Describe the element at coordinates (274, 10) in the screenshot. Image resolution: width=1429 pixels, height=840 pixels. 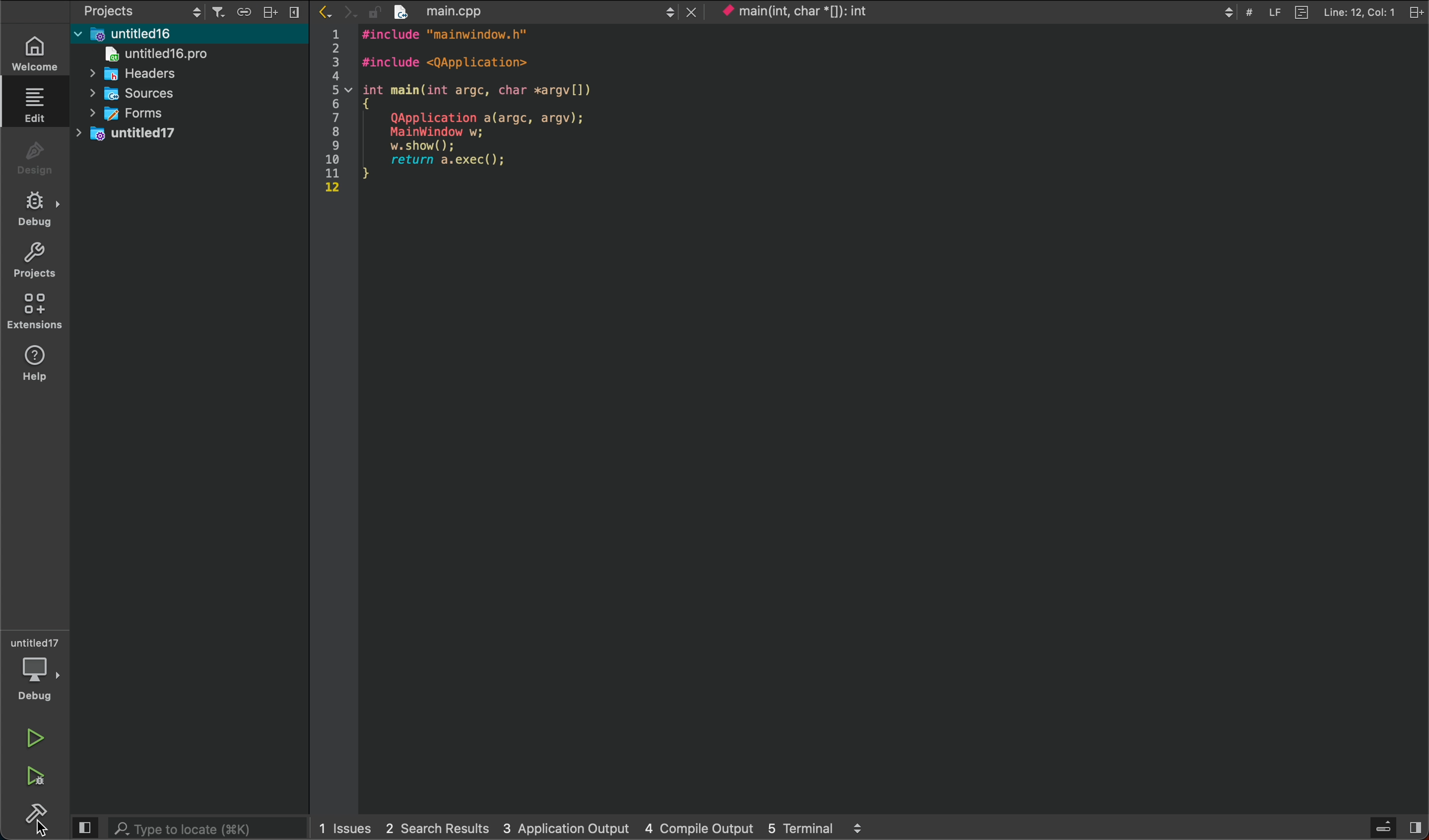
I see `layout` at that location.